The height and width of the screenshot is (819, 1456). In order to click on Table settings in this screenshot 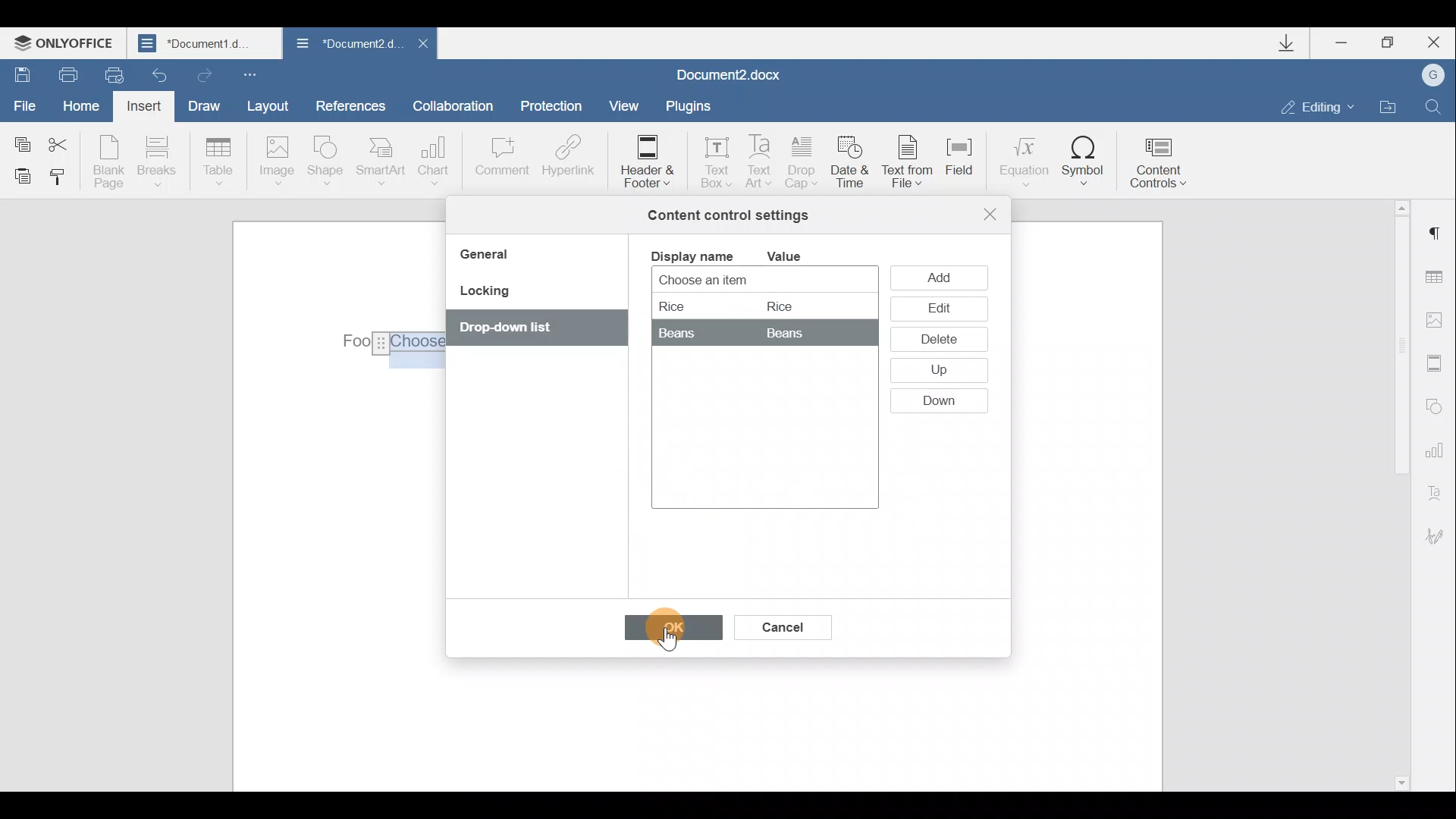, I will do `click(1439, 279)`.